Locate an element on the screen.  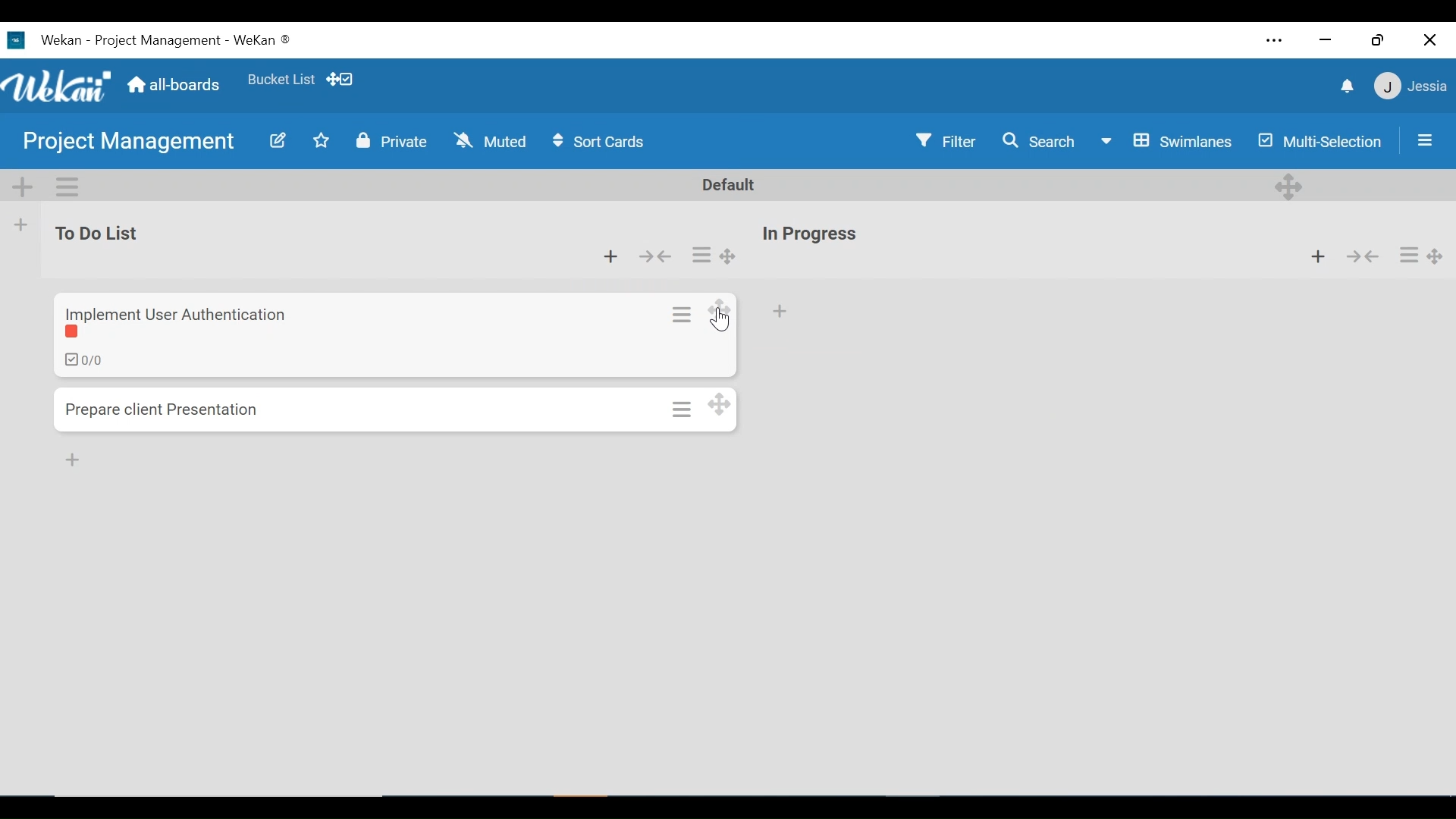
Checklist is located at coordinates (83, 356).